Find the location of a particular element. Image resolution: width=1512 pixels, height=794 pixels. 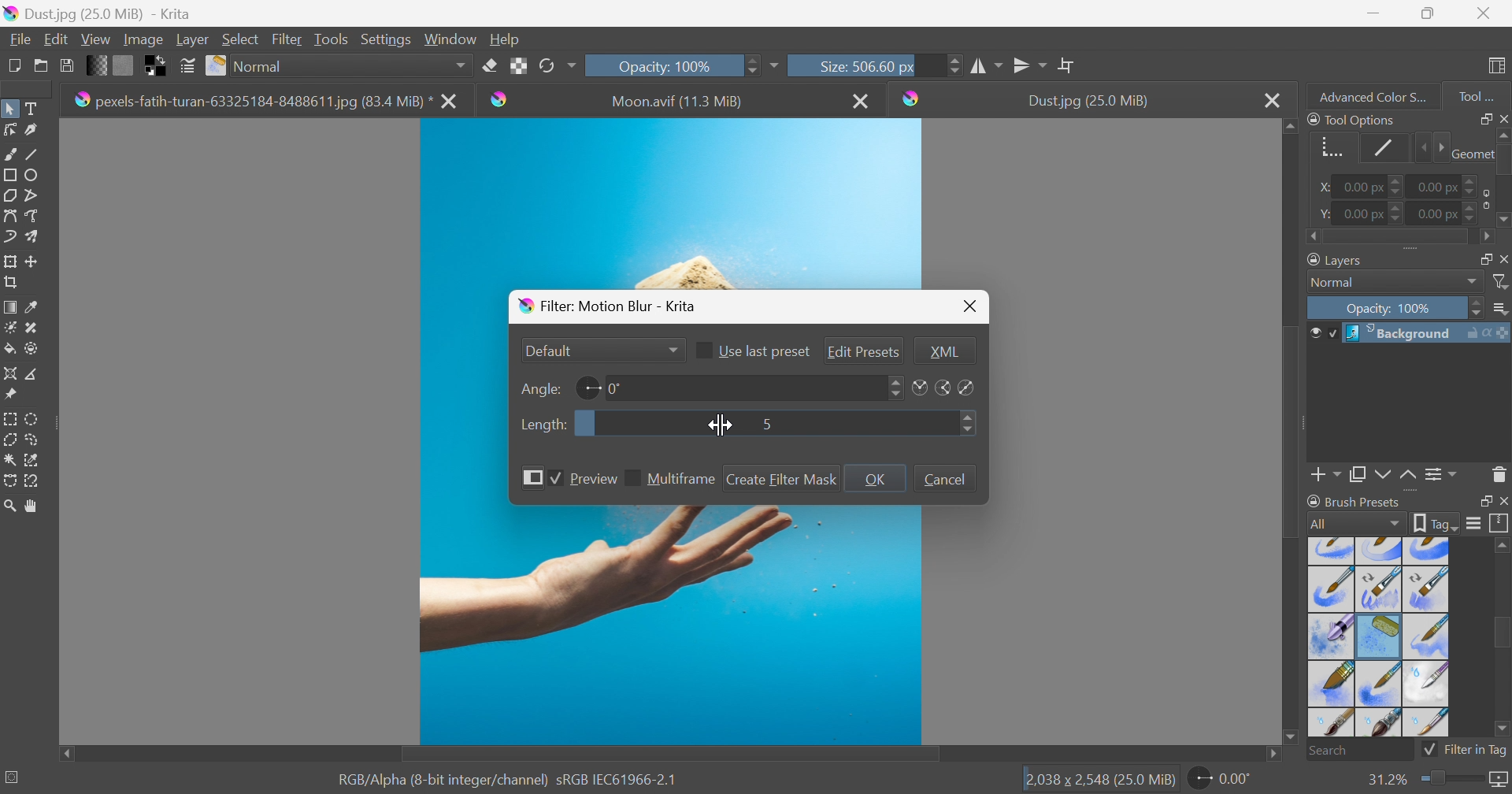

Size: 506.60 px is located at coordinates (841, 65).